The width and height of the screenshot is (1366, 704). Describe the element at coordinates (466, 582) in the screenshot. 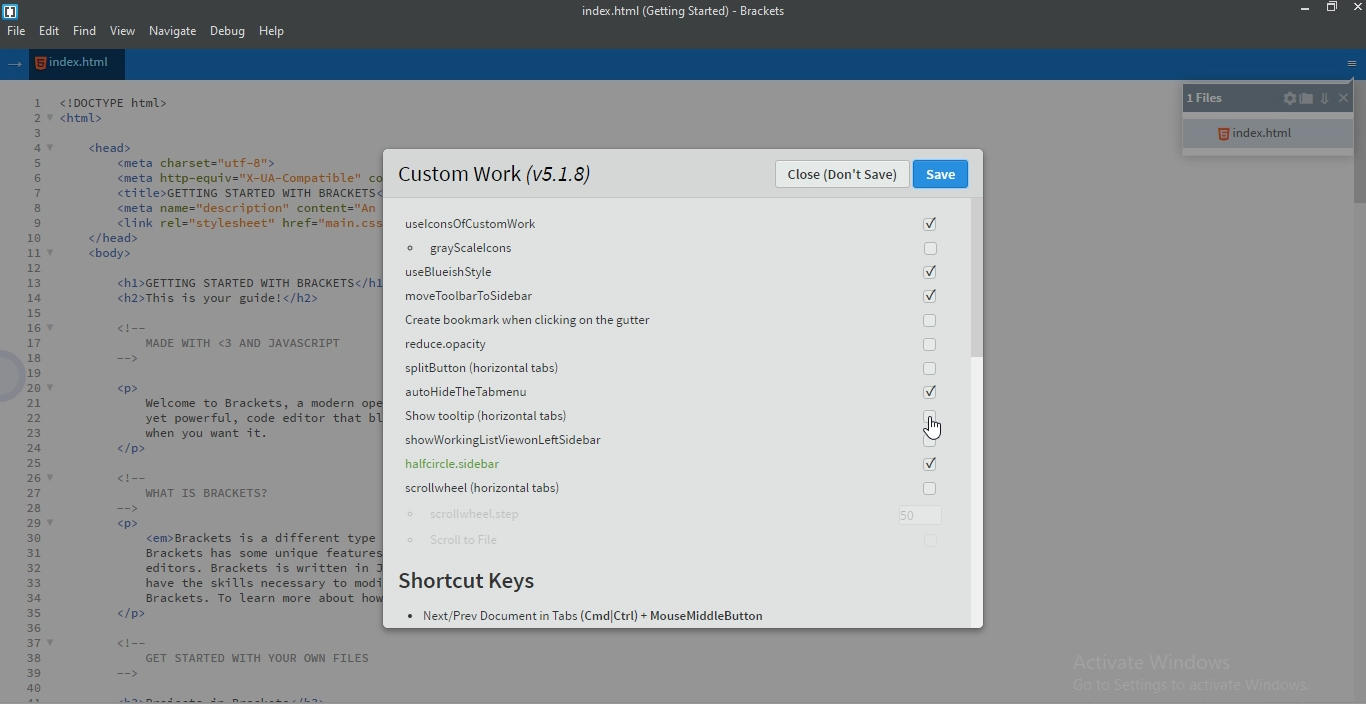

I see `Shortcut Keys` at that location.